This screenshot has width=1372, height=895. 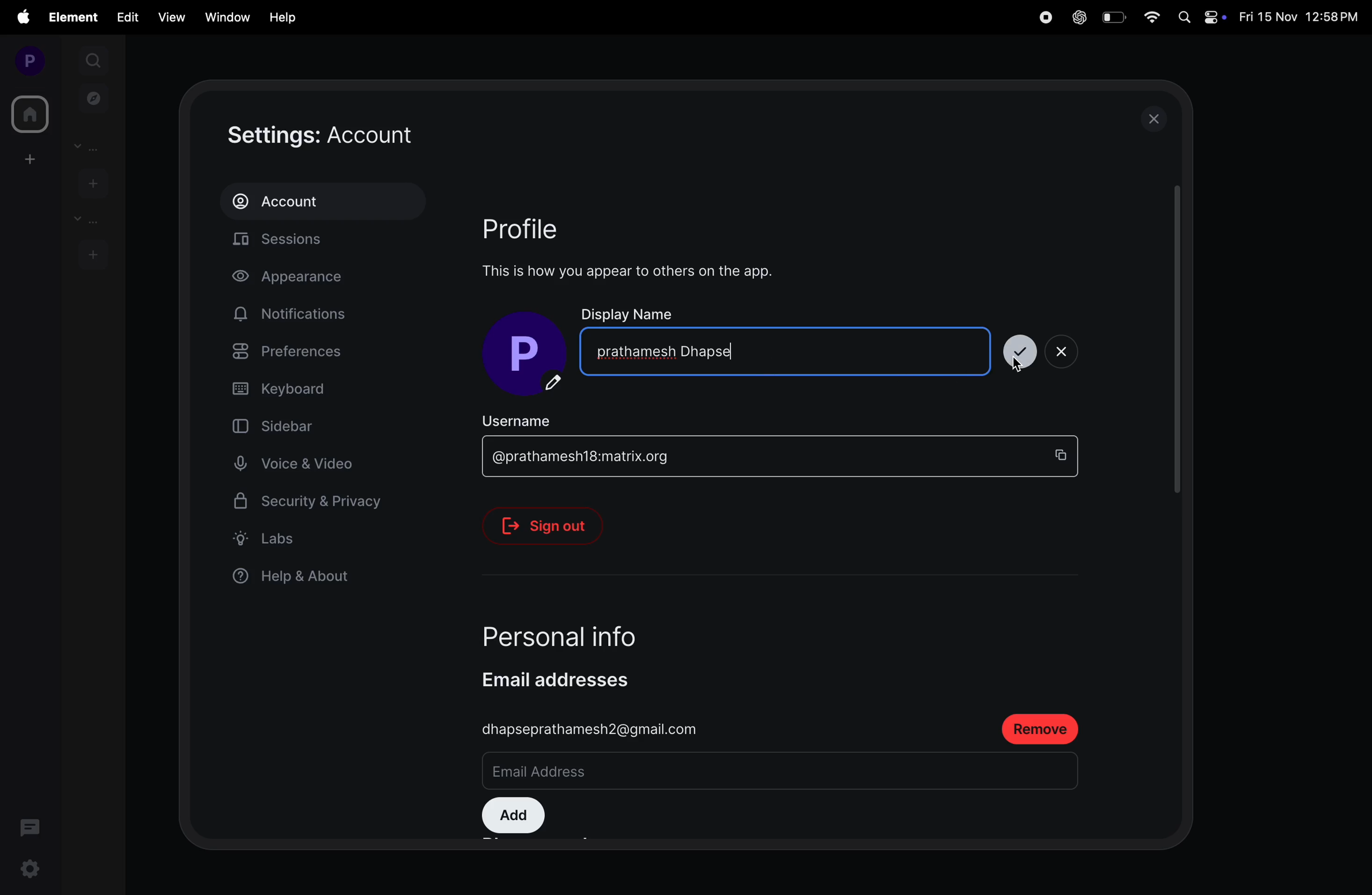 What do you see at coordinates (295, 314) in the screenshot?
I see `notifications` at bounding box center [295, 314].